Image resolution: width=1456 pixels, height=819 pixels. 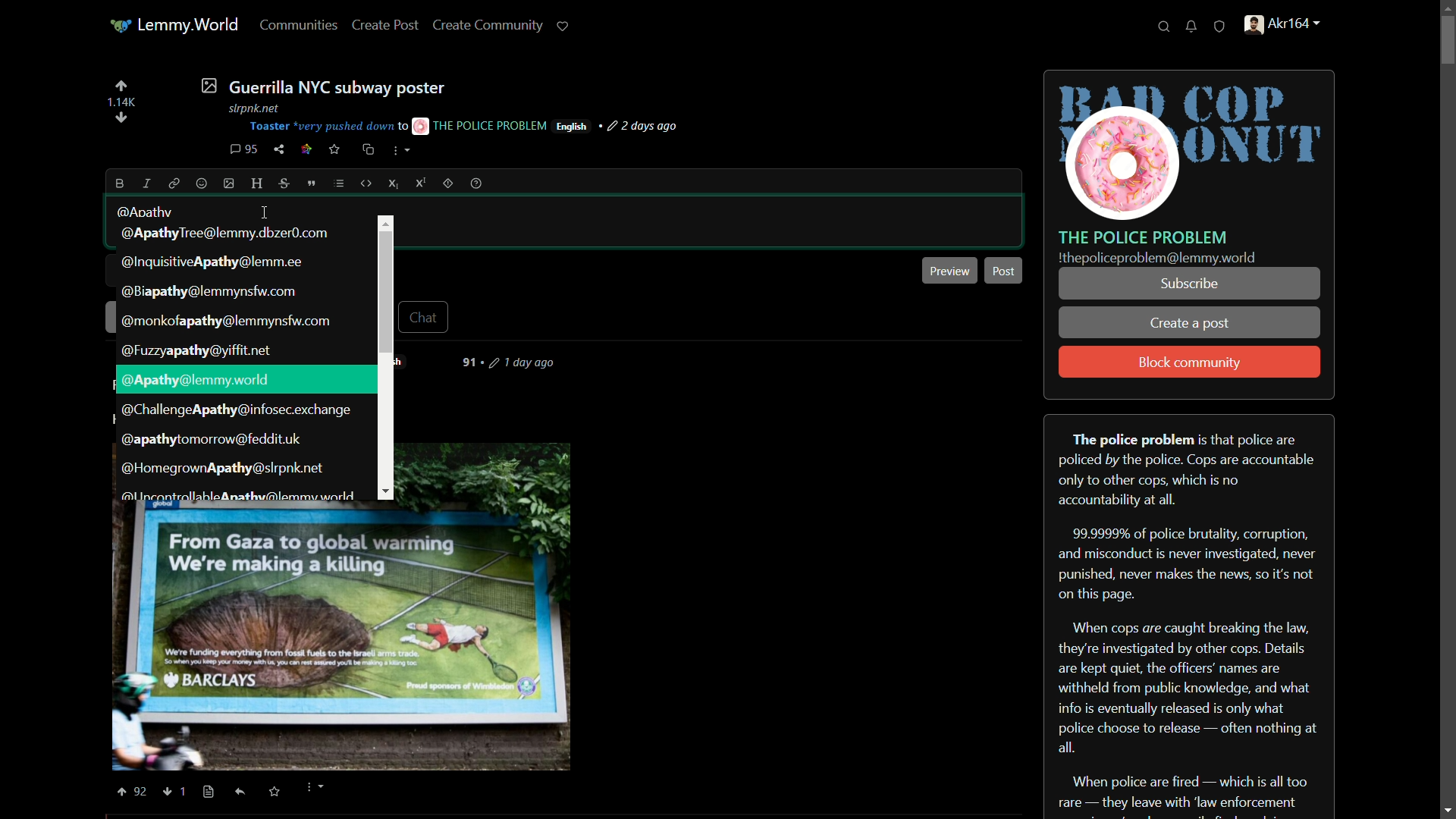 What do you see at coordinates (491, 24) in the screenshot?
I see `create community ` at bounding box center [491, 24].